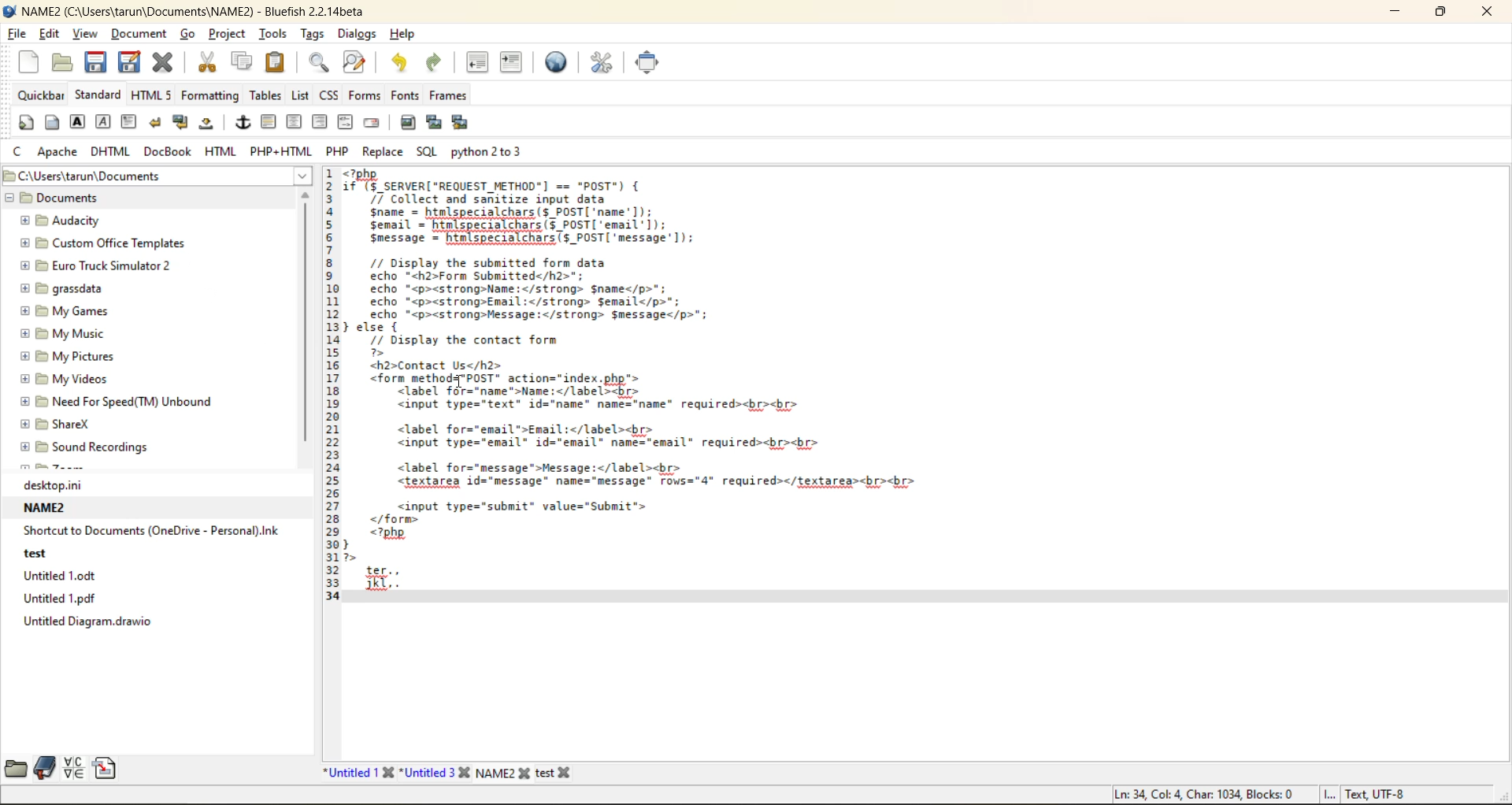 This screenshot has height=805, width=1512. What do you see at coordinates (596, 61) in the screenshot?
I see `edit preferences` at bounding box center [596, 61].